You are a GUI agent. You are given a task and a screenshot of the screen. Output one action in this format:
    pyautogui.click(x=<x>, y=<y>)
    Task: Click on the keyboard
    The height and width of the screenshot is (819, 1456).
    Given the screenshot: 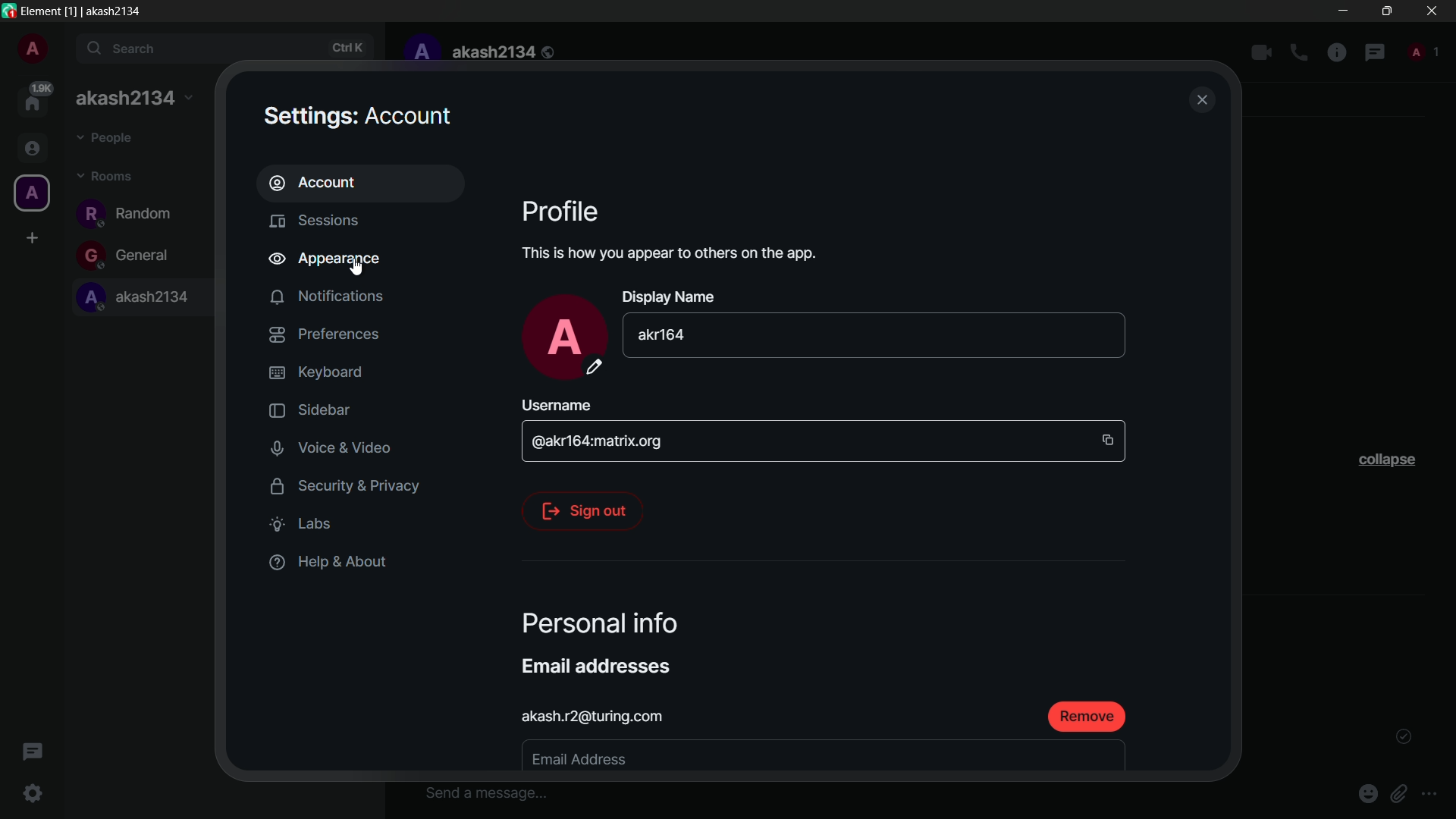 What is the action you would take?
    pyautogui.click(x=315, y=372)
    